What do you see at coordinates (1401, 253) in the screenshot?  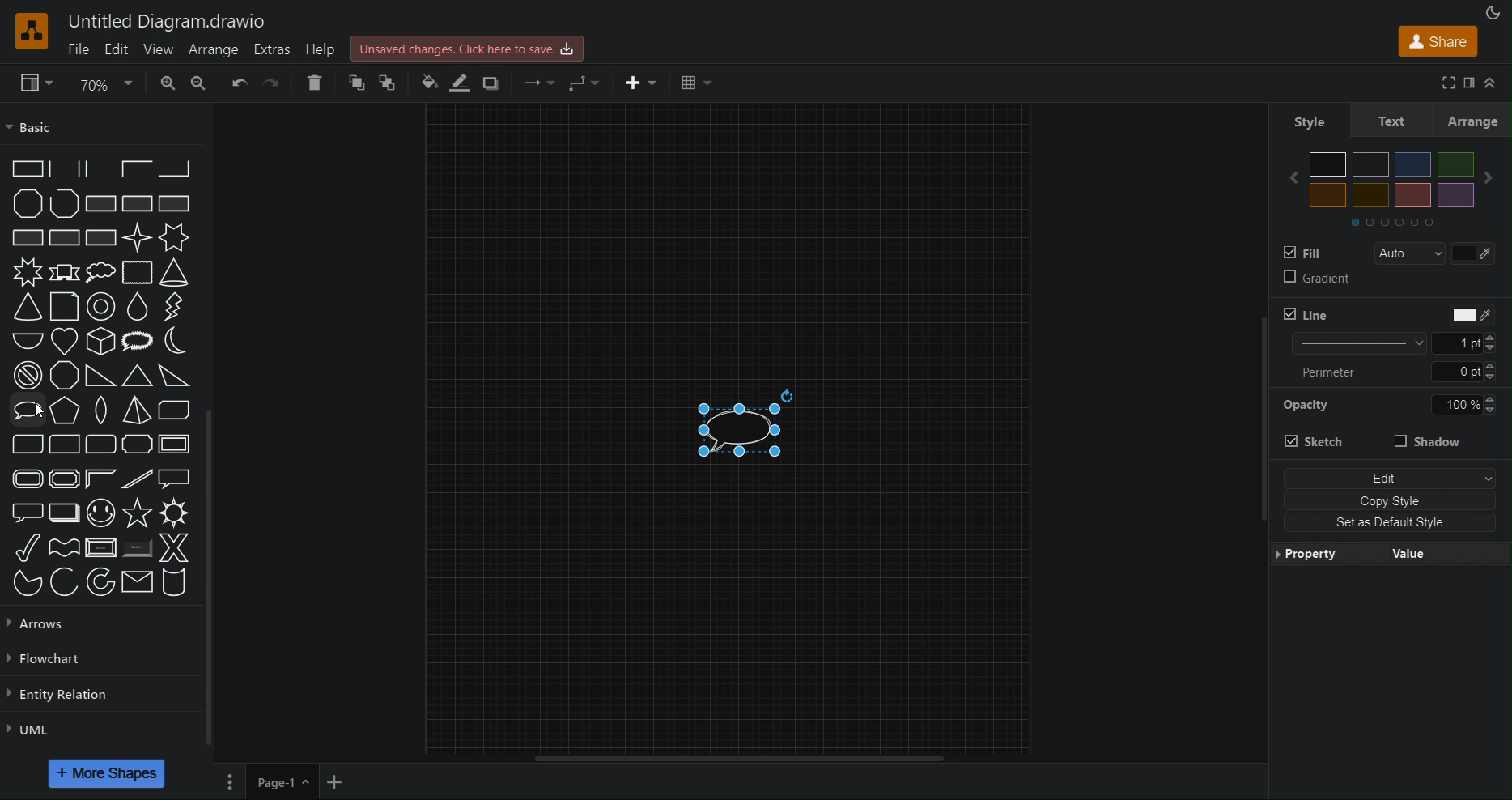 I see `Auto` at bounding box center [1401, 253].